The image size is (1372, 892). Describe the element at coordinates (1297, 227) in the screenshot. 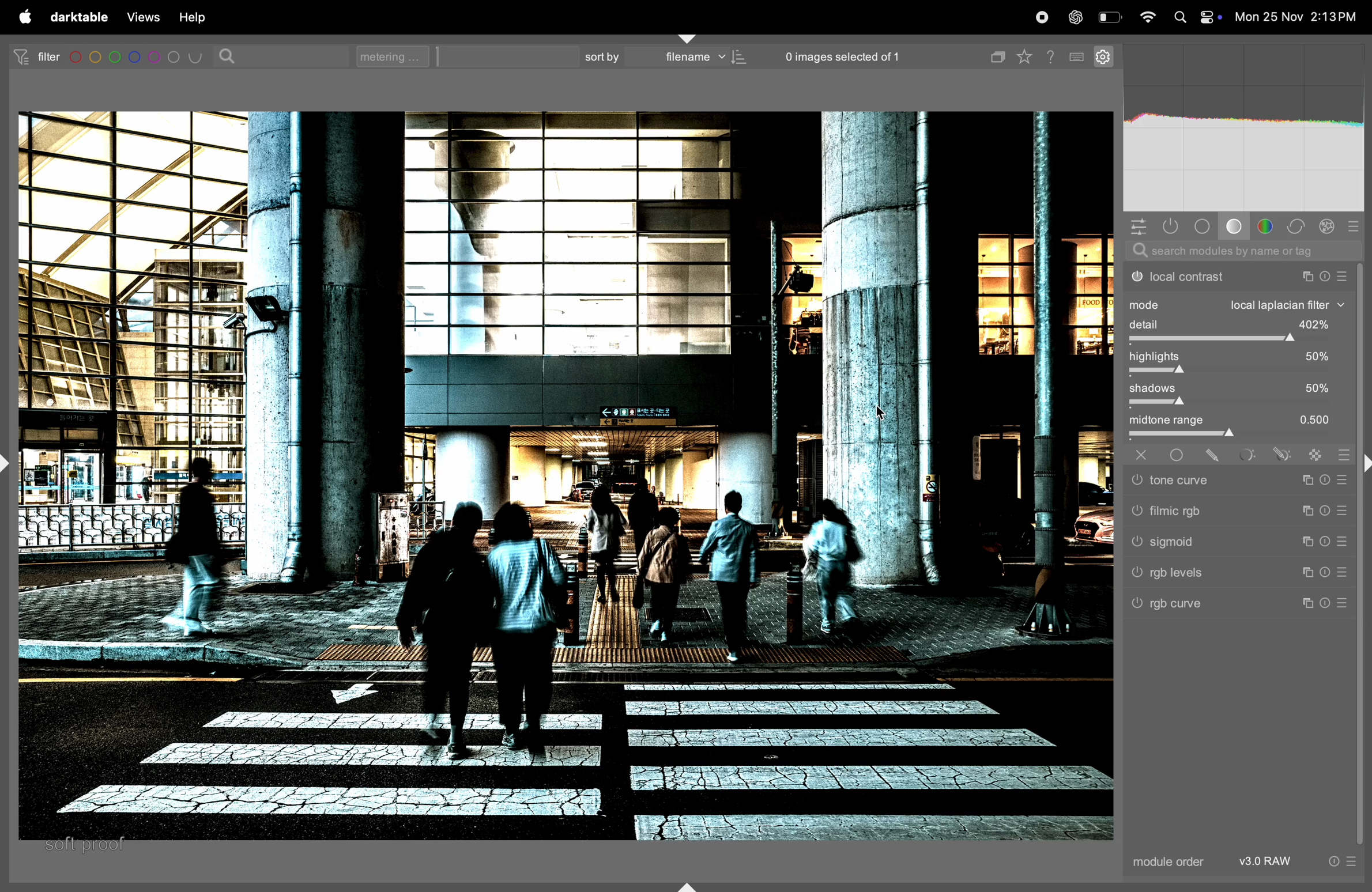

I see `correct` at that location.